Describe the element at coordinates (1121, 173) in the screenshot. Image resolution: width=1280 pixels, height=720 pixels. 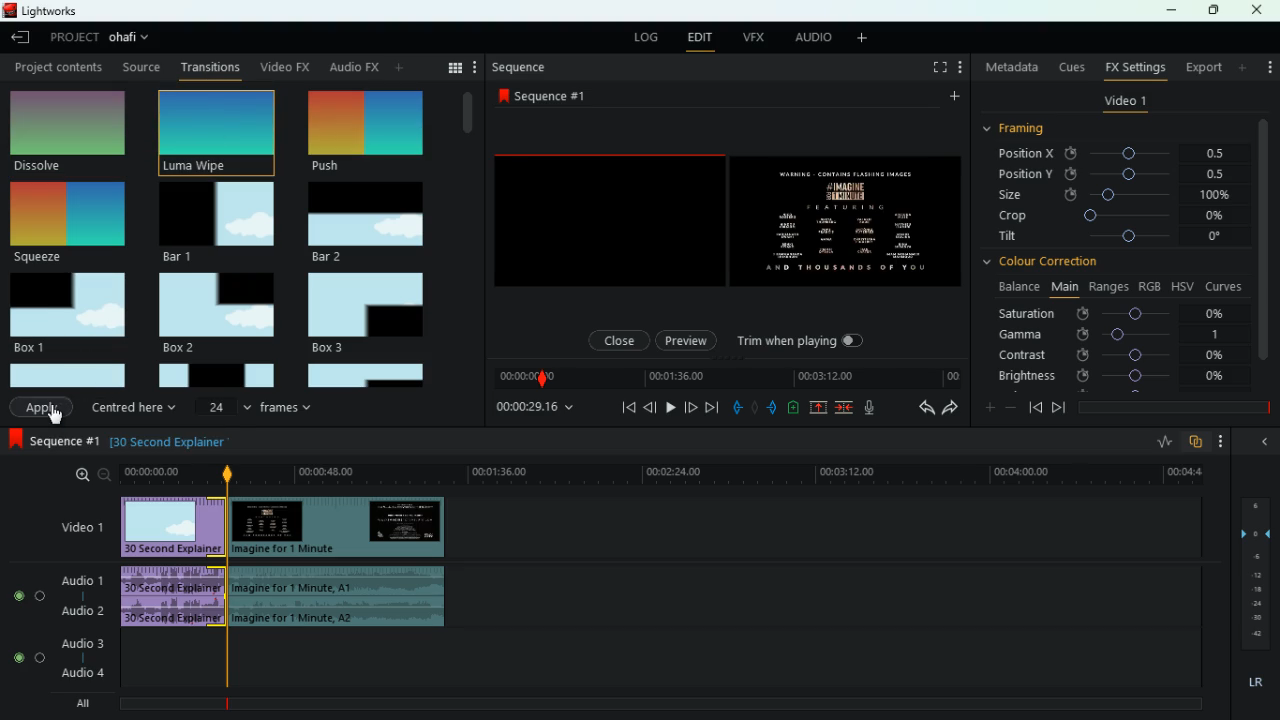
I see `position y` at that location.